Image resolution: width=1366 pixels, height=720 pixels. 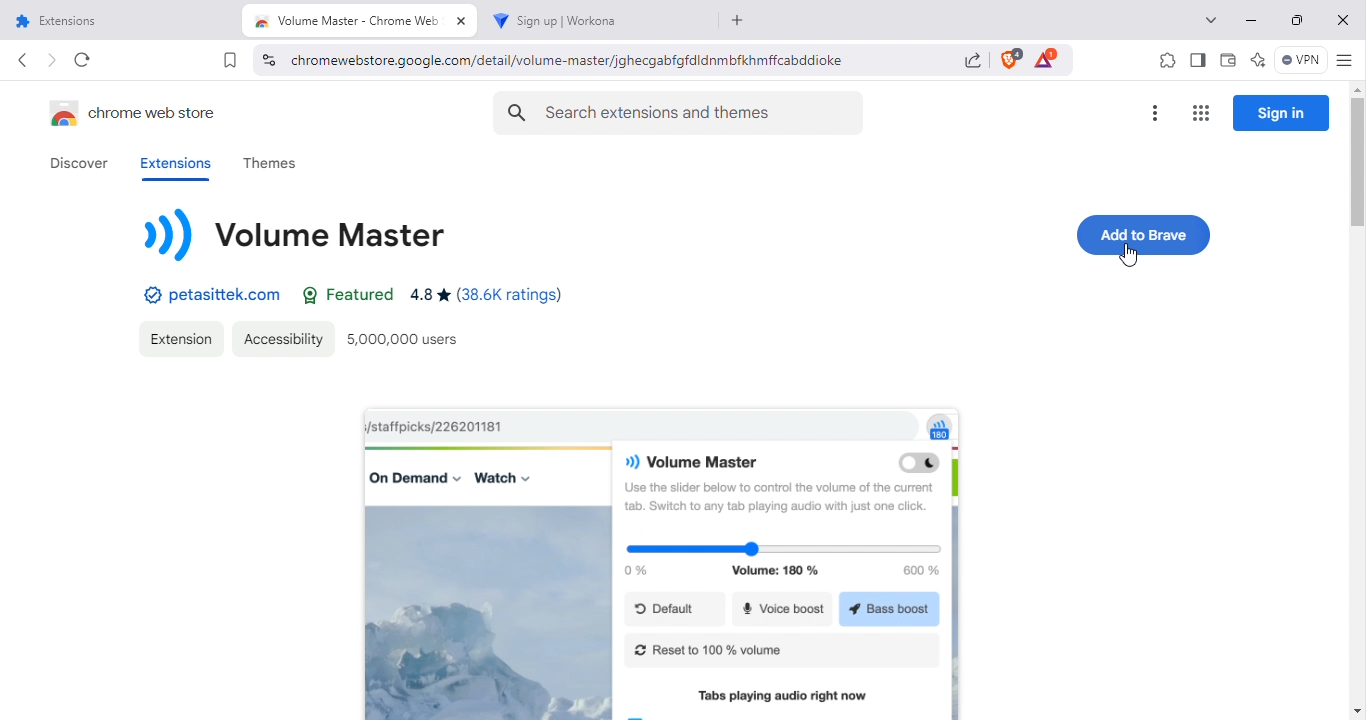 I want to click on Bookmark, so click(x=227, y=61).